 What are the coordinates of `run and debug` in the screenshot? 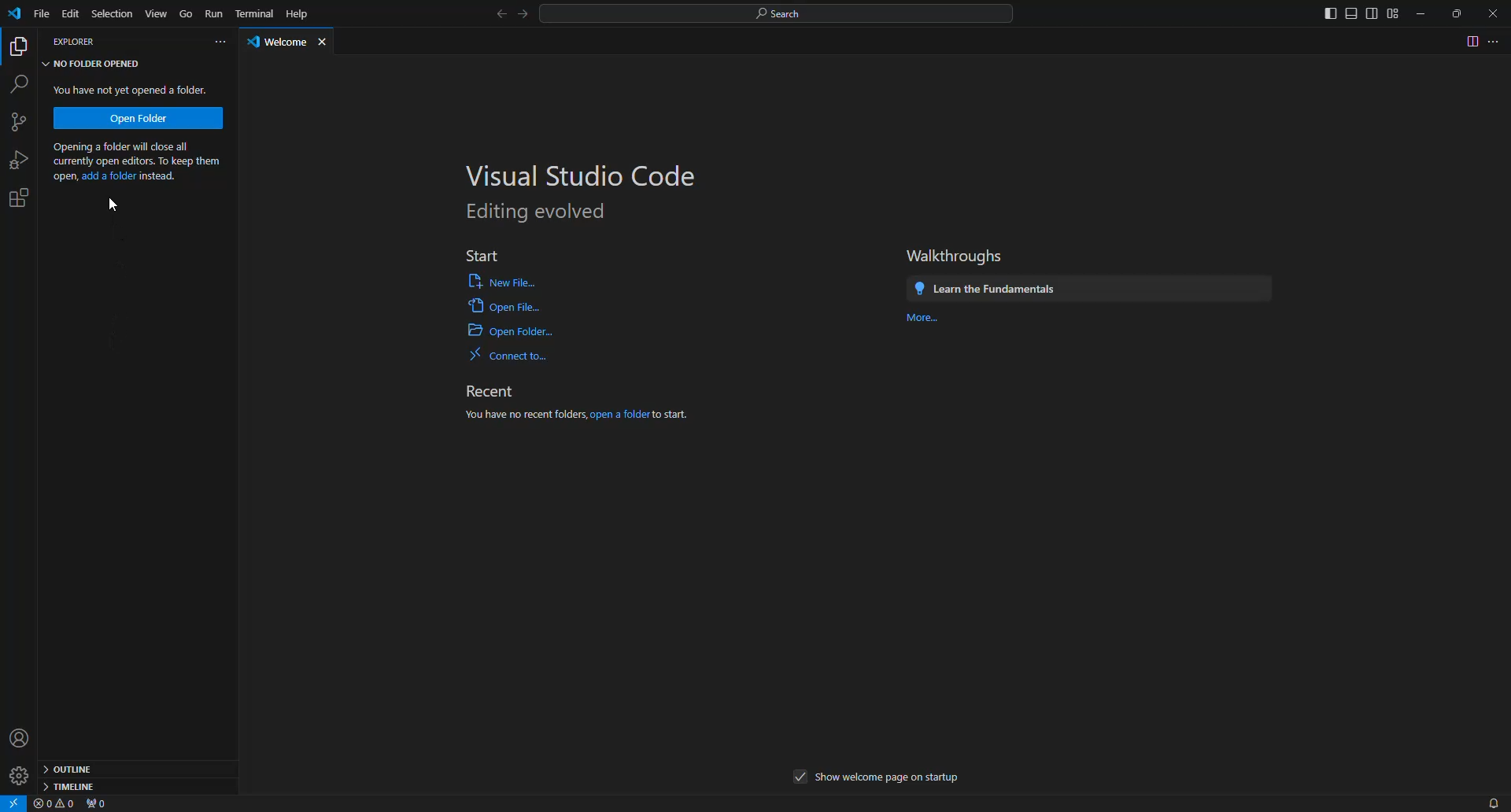 It's located at (22, 160).